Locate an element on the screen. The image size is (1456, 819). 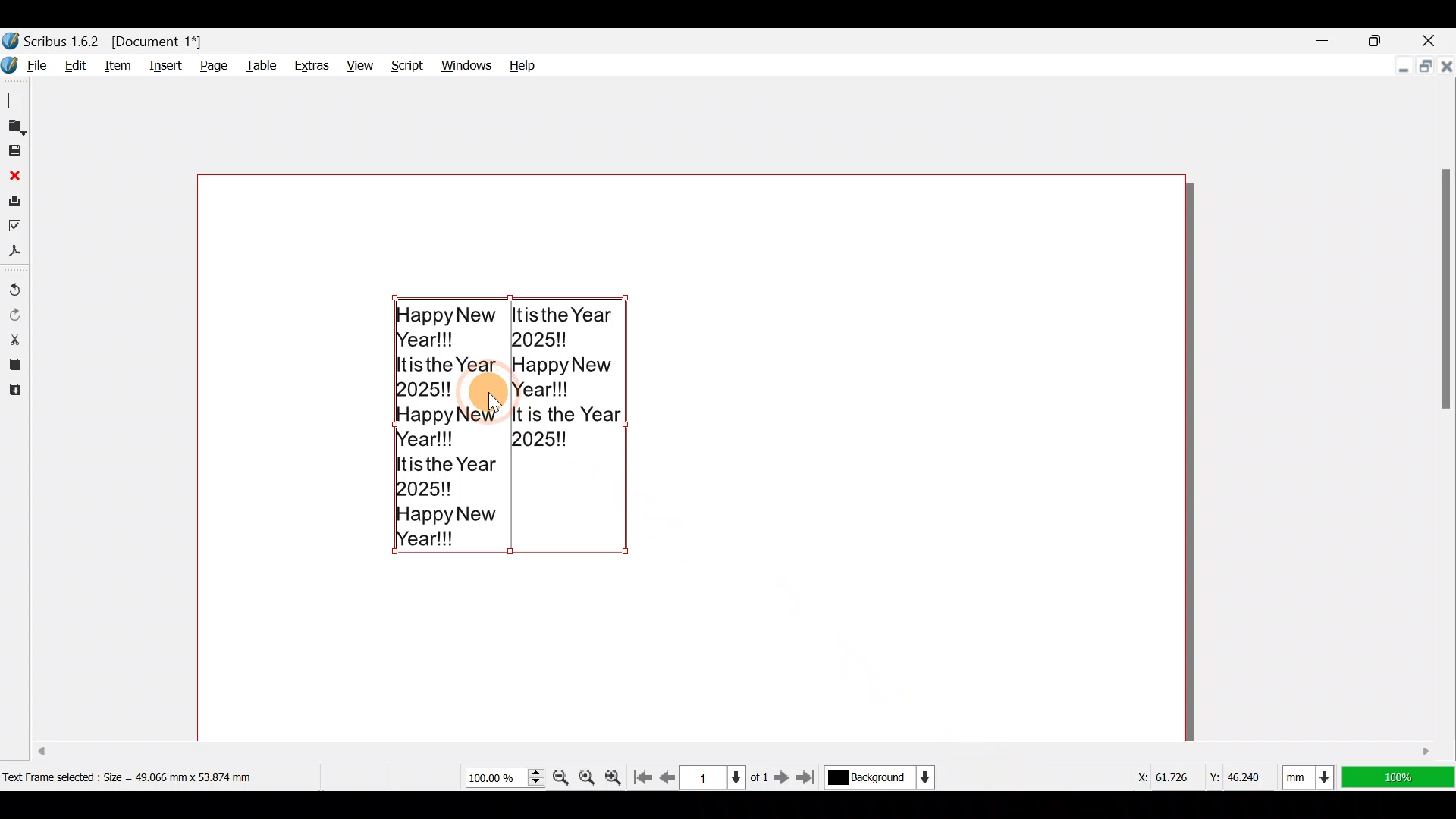
Zoom to 100% is located at coordinates (588, 775).